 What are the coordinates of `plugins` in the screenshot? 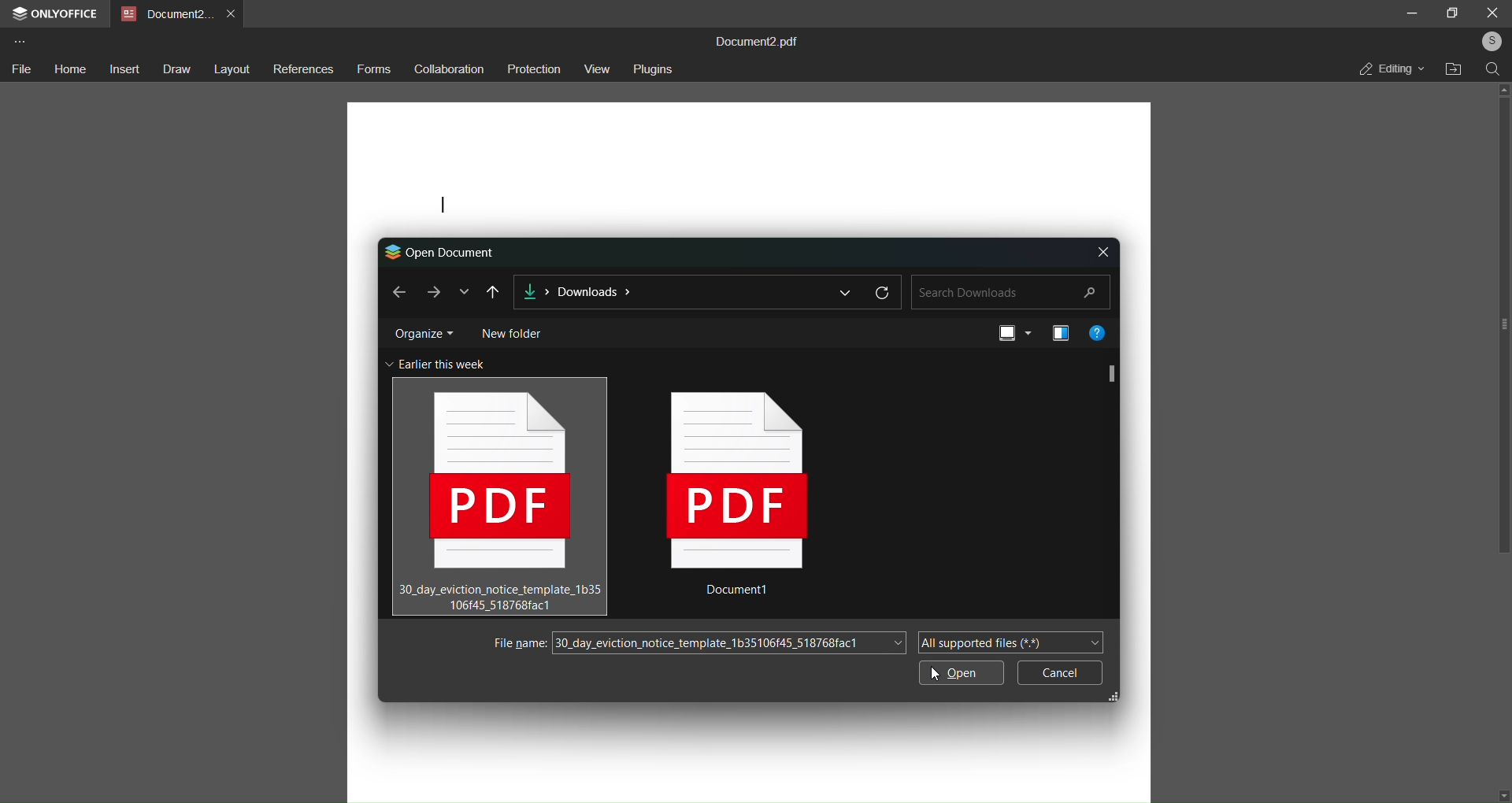 It's located at (655, 68).